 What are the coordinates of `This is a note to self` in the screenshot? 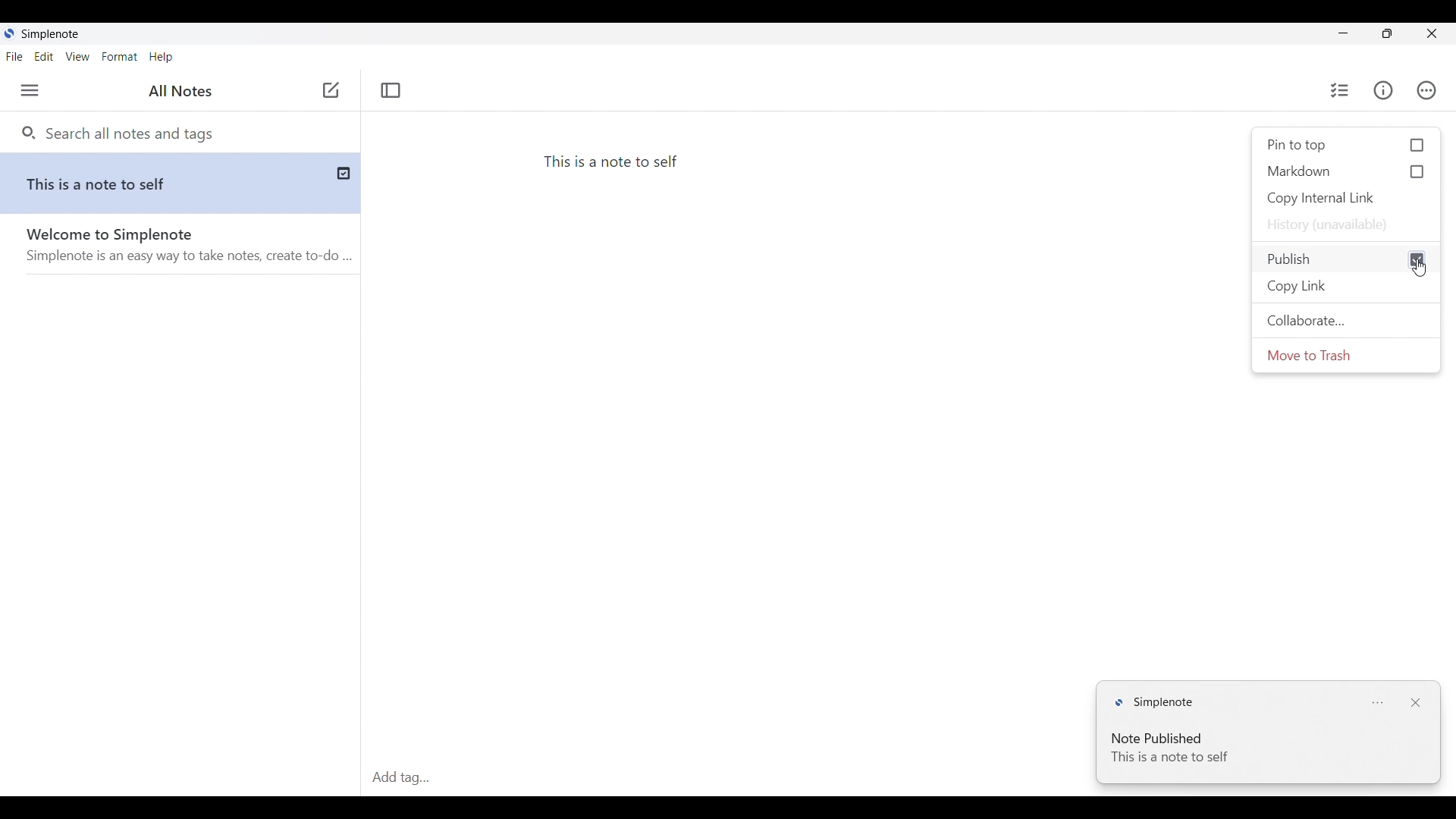 It's located at (1171, 757).